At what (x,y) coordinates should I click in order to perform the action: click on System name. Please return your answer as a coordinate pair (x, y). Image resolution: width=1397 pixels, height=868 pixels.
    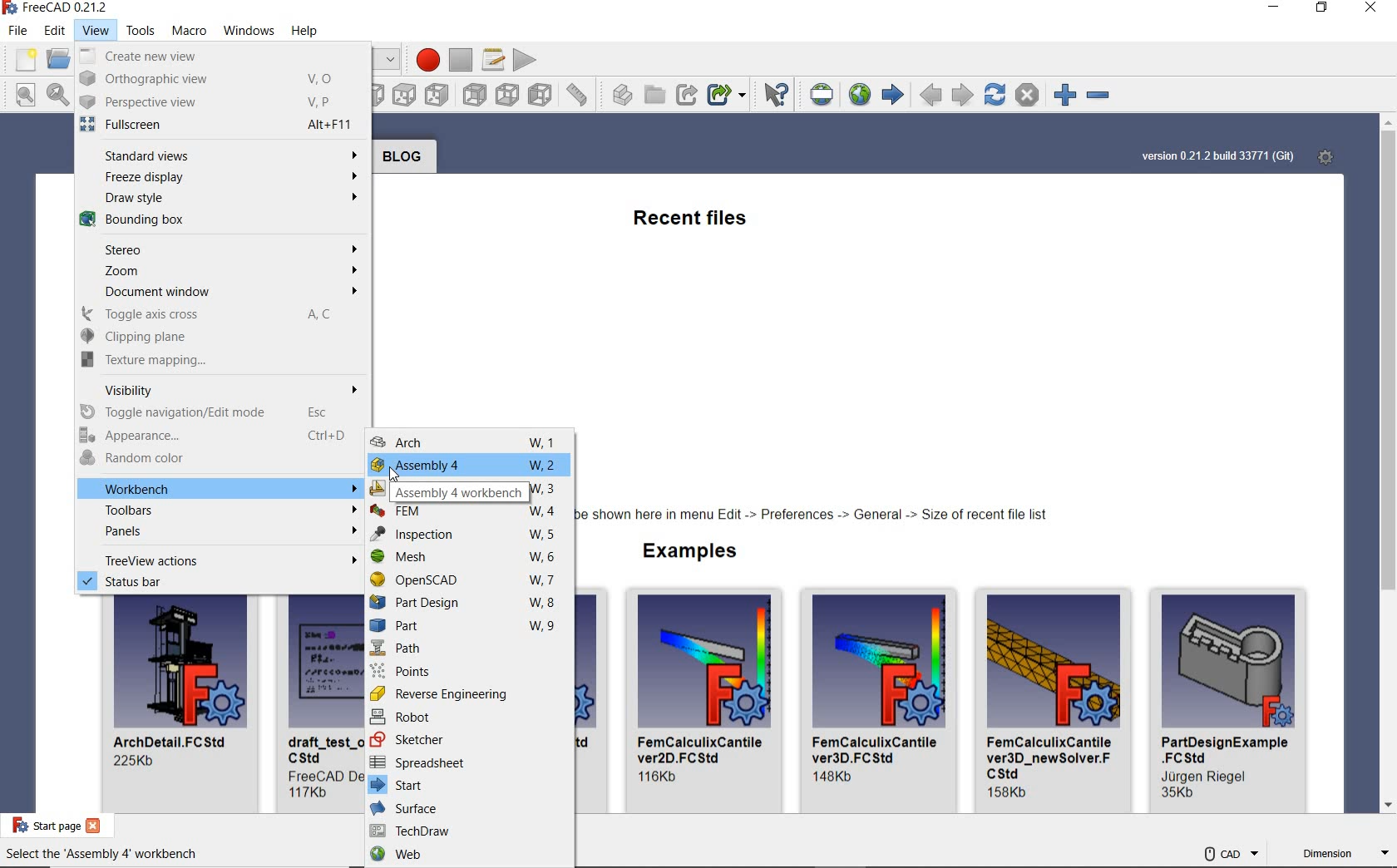
    Looking at the image, I should click on (56, 10).